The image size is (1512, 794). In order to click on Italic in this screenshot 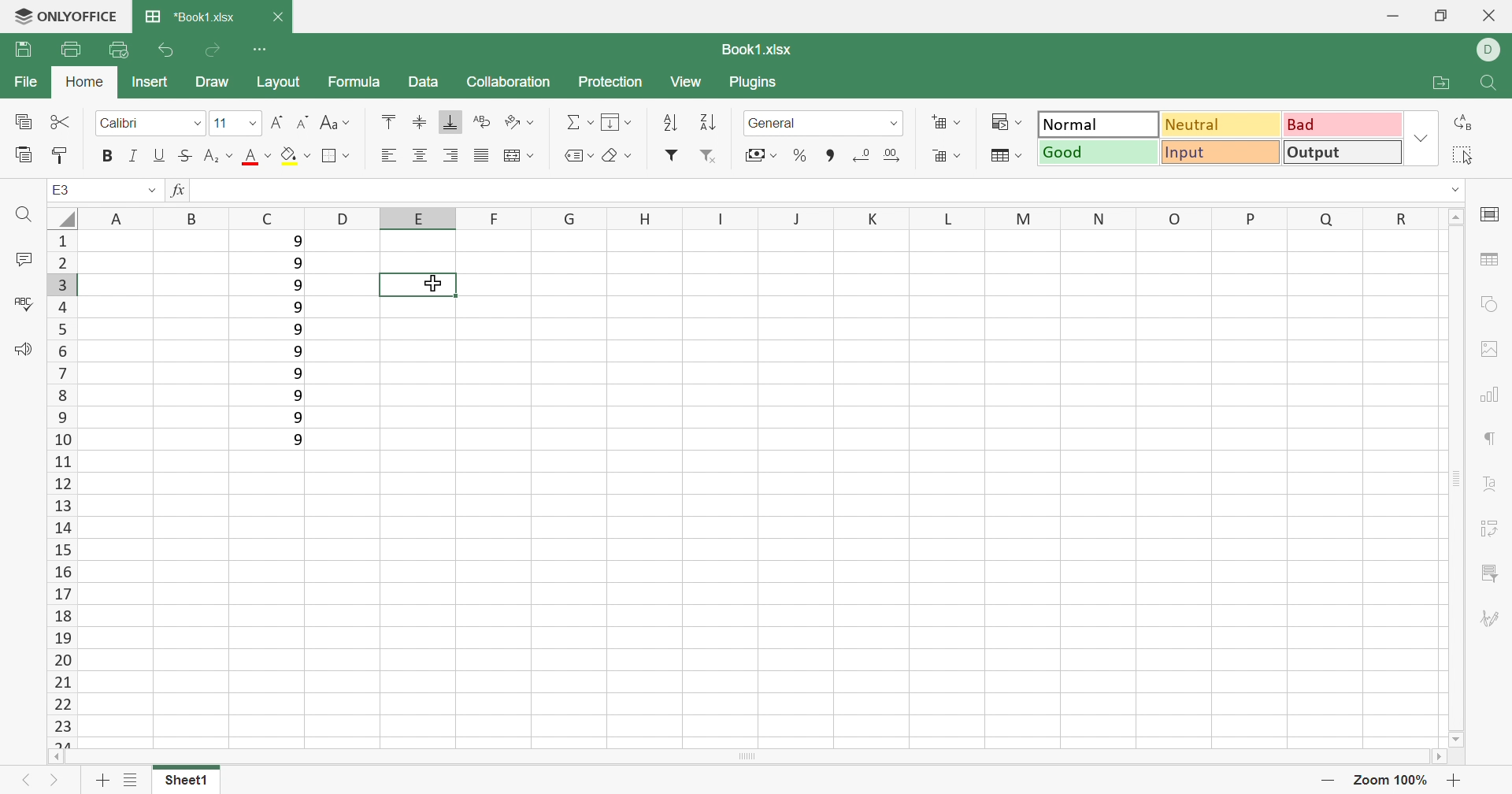, I will do `click(138, 157)`.